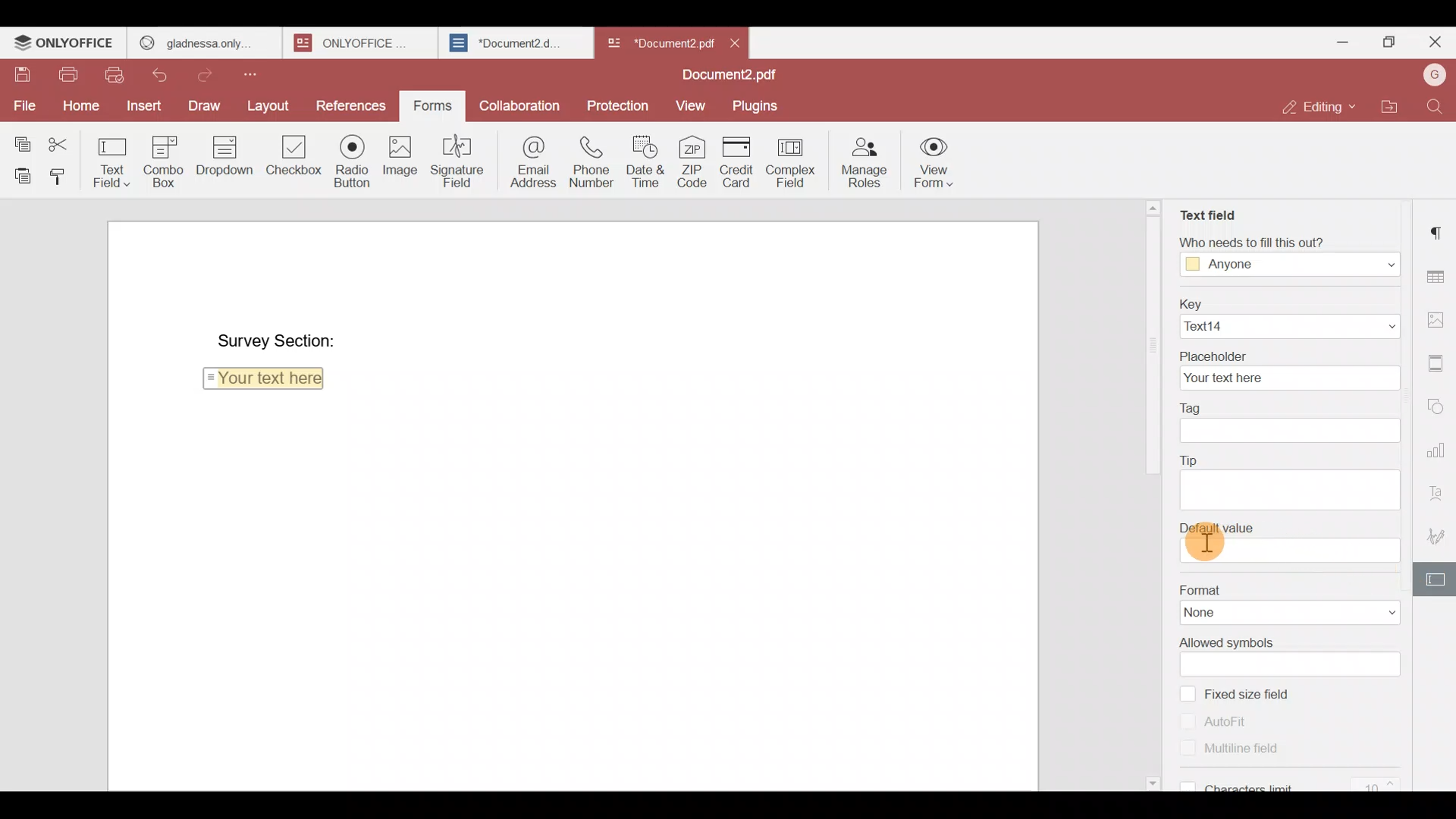 This screenshot has width=1456, height=819. Describe the element at coordinates (18, 173) in the screenshot. I see `Paste` at that location.